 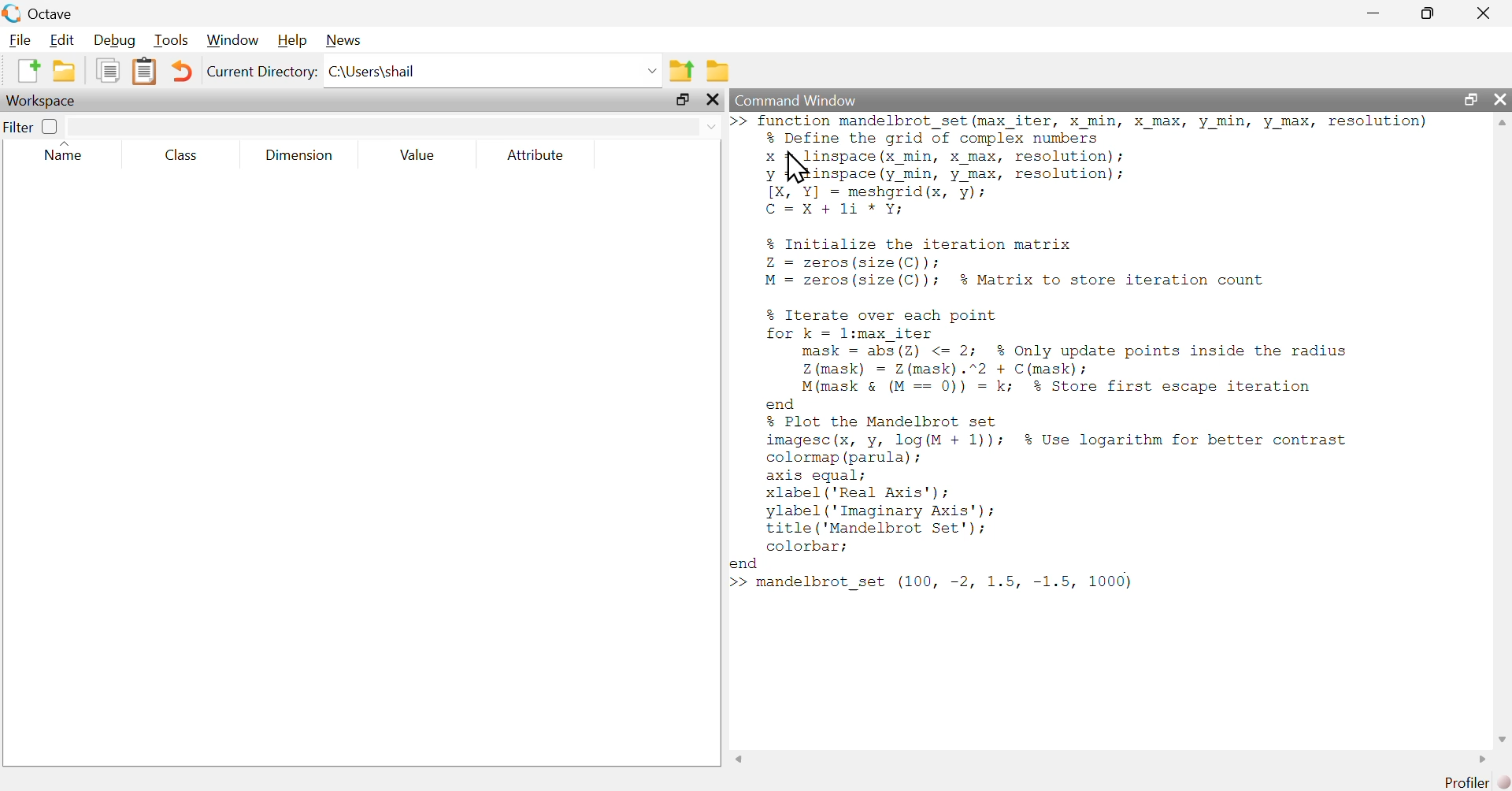 What do you see at coordinates (1429, 13) in the screenshot?
I see `maximize` at bounding box center [1429, 13].